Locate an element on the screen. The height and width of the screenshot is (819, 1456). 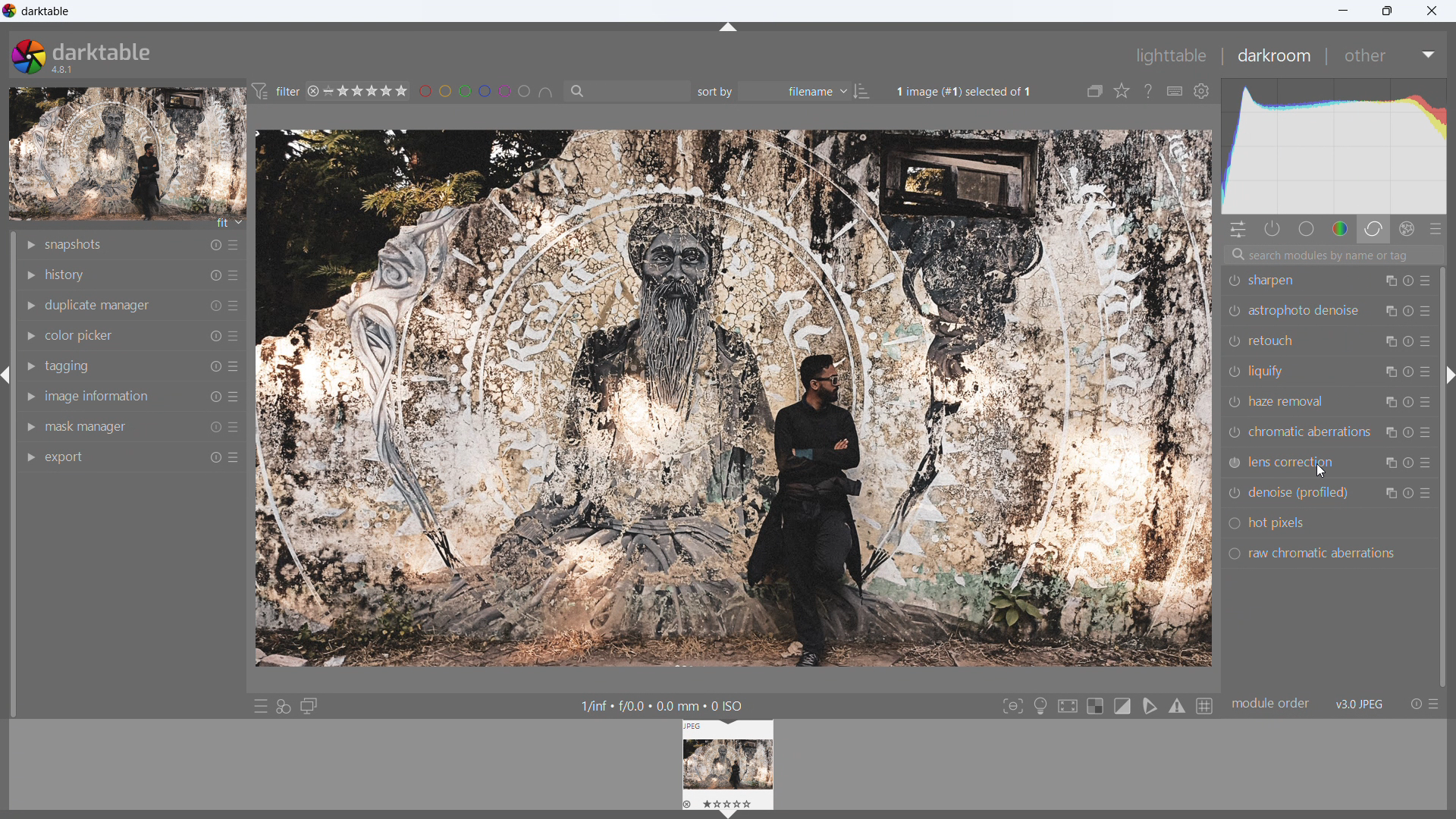
tagging is located at coordinates (71, 367).